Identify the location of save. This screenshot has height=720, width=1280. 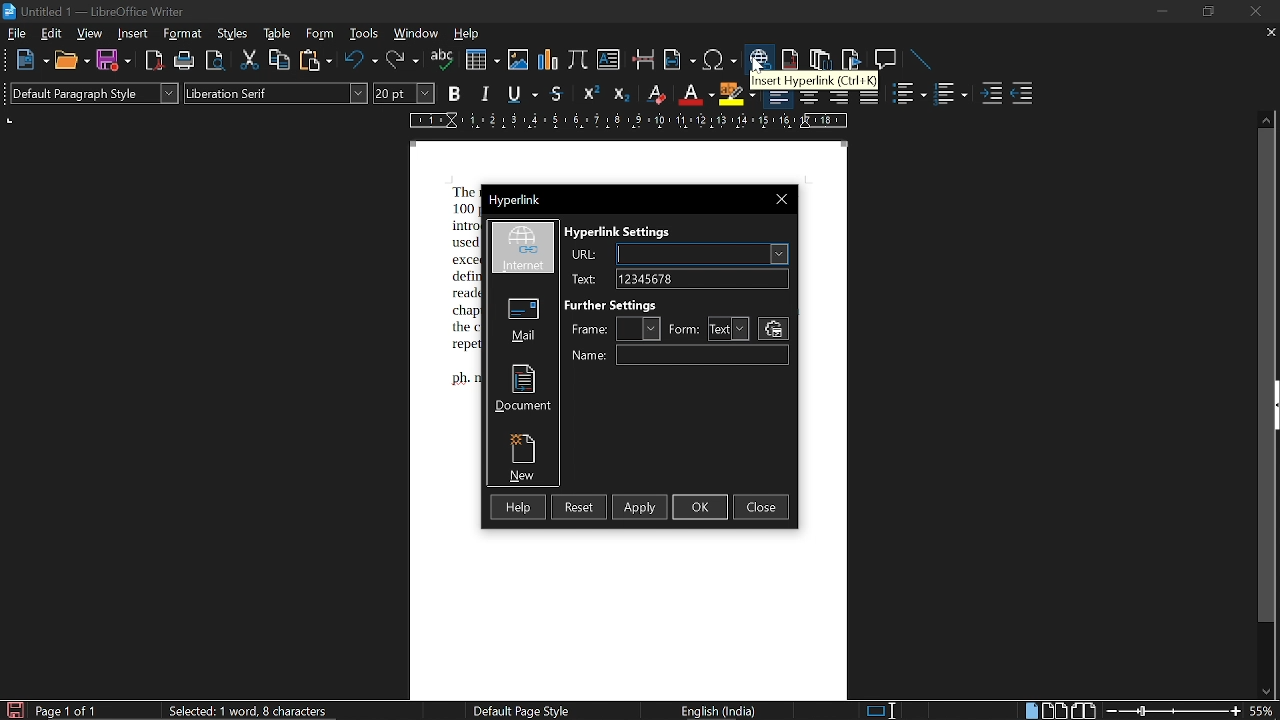
(113, 60).